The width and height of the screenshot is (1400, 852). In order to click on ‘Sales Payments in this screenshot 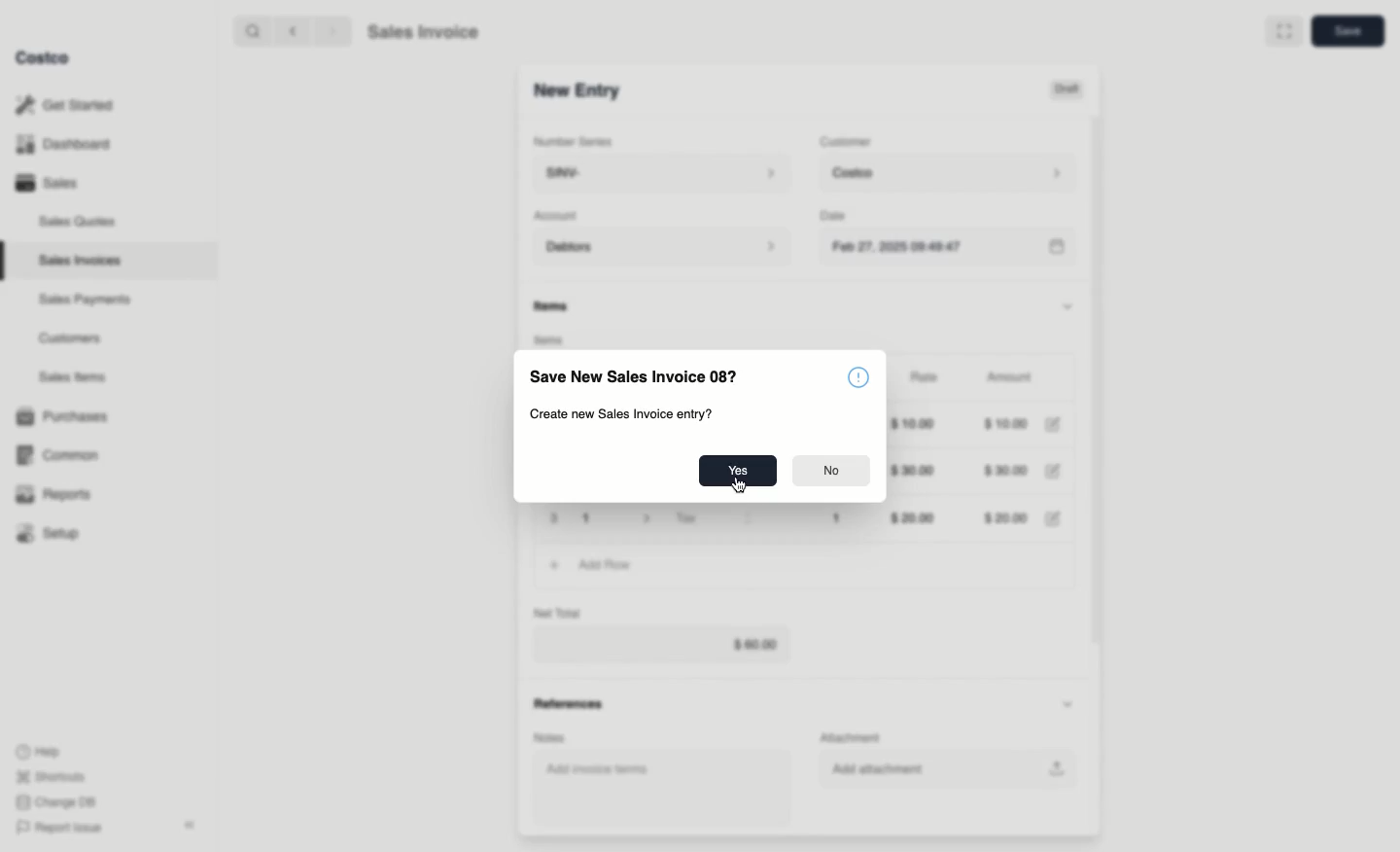, I will do `click(85, 298)`.